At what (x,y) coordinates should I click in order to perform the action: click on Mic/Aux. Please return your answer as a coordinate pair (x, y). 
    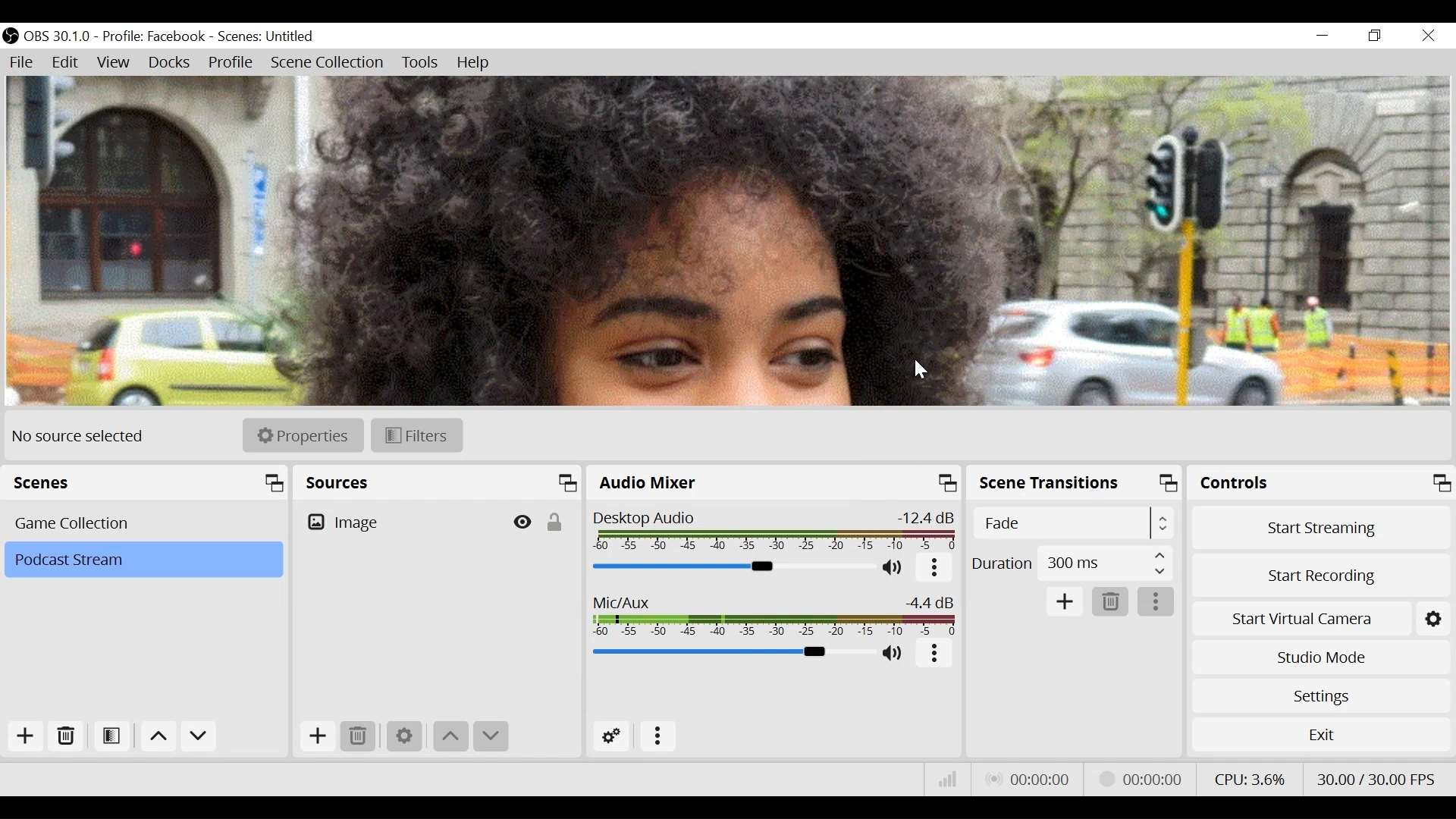
    Looking at the image, I should click on (774, 613).